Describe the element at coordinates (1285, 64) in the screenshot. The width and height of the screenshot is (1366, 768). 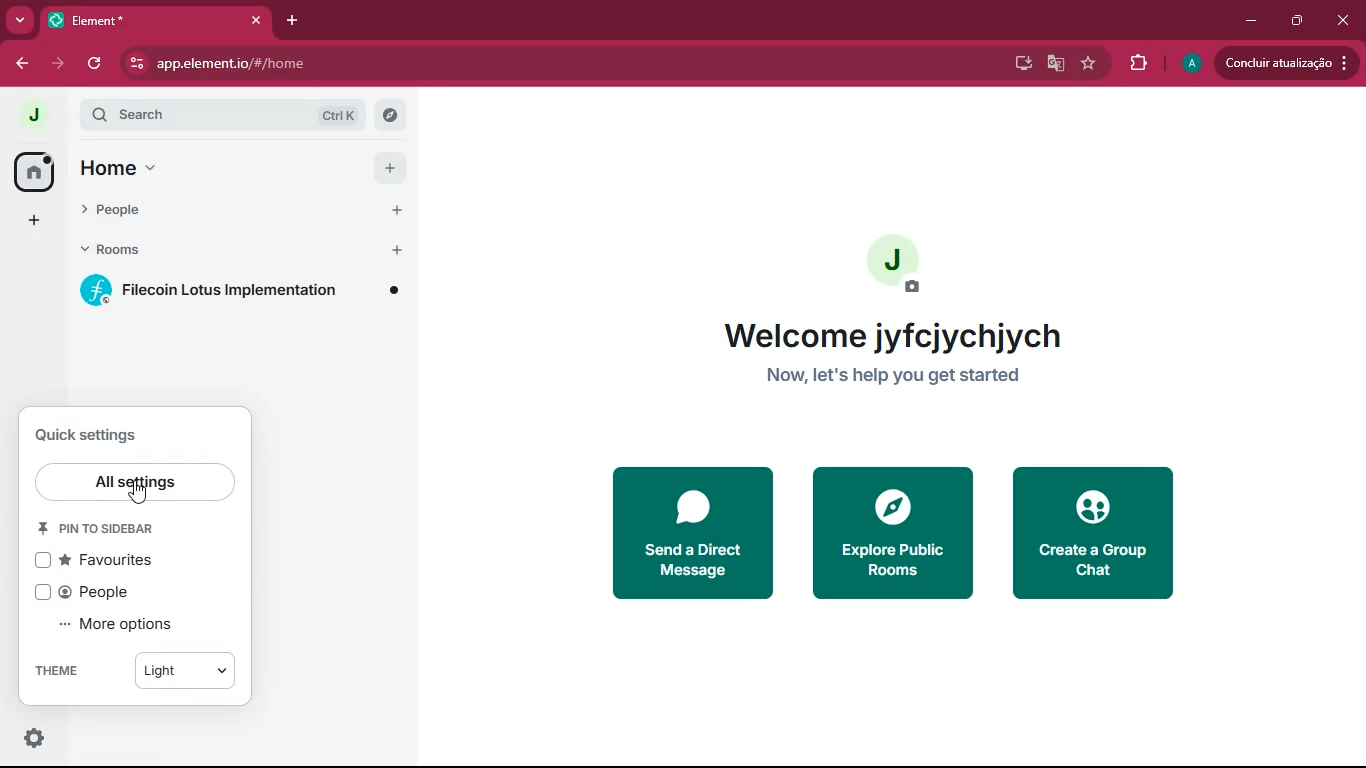
I see `updates` at that location.